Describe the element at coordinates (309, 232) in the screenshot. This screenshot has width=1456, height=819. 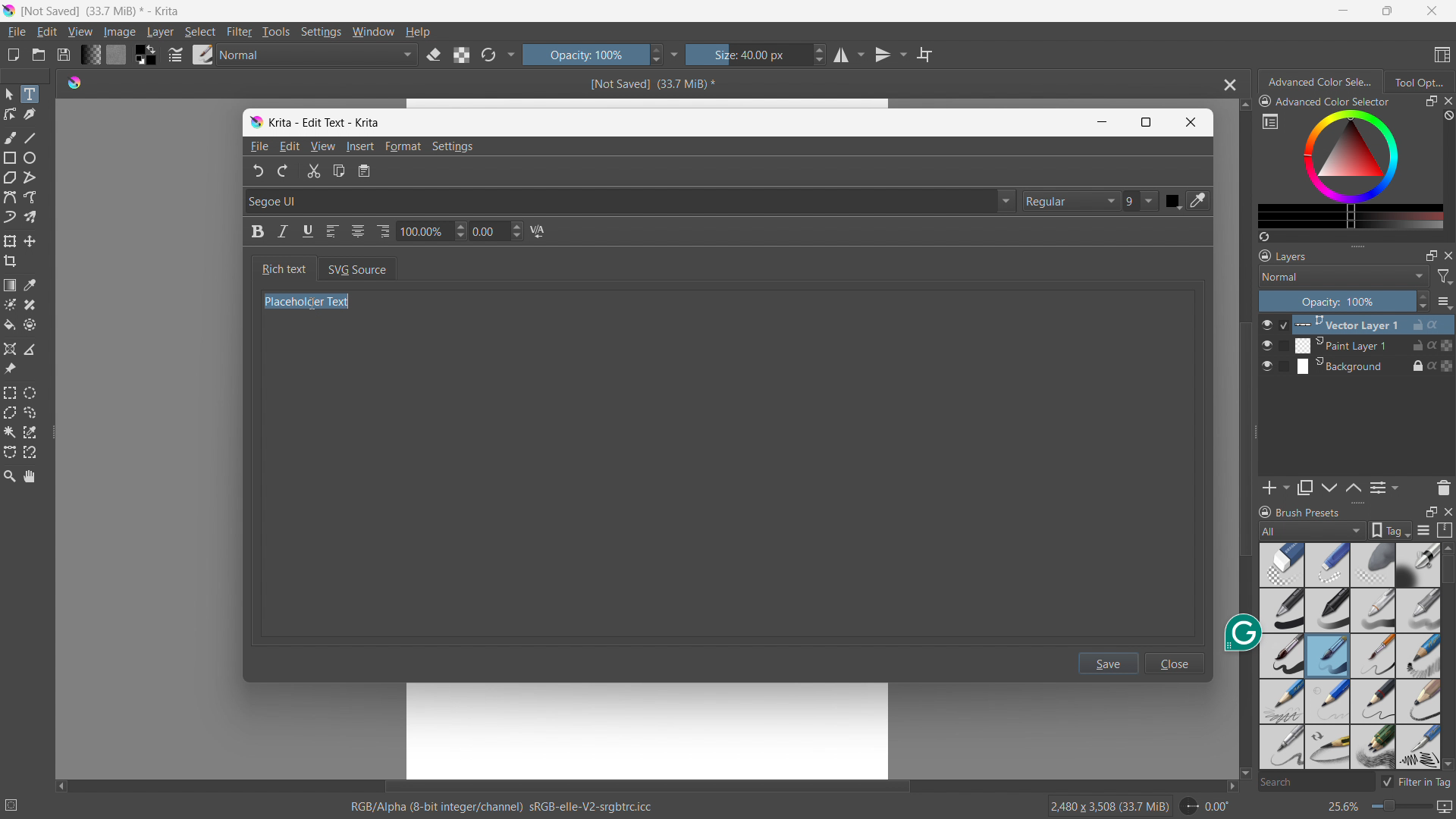
I see `Underline` at that location.